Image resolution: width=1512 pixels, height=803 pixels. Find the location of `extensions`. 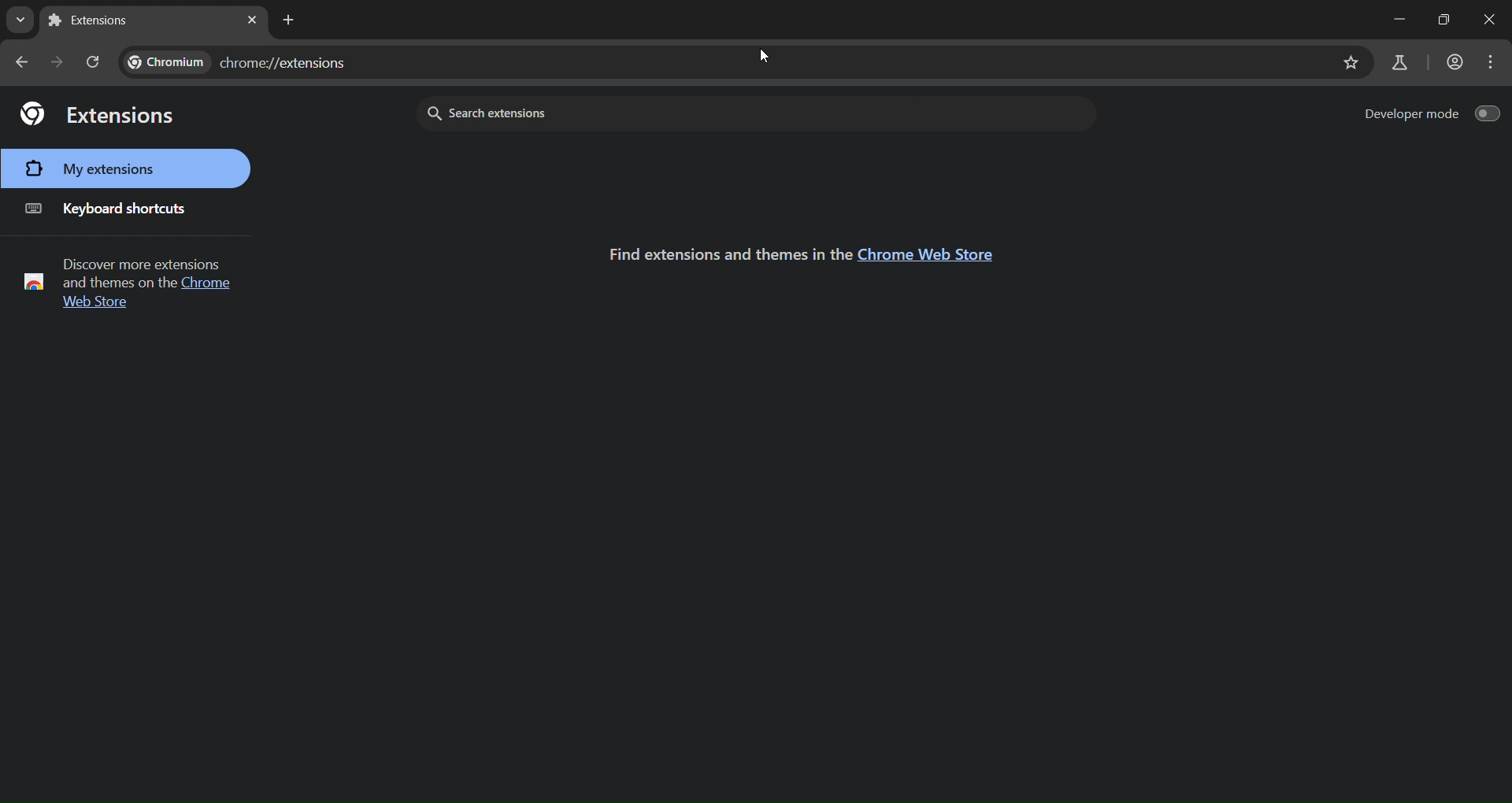

extensions is located at coordinates (98, 113).